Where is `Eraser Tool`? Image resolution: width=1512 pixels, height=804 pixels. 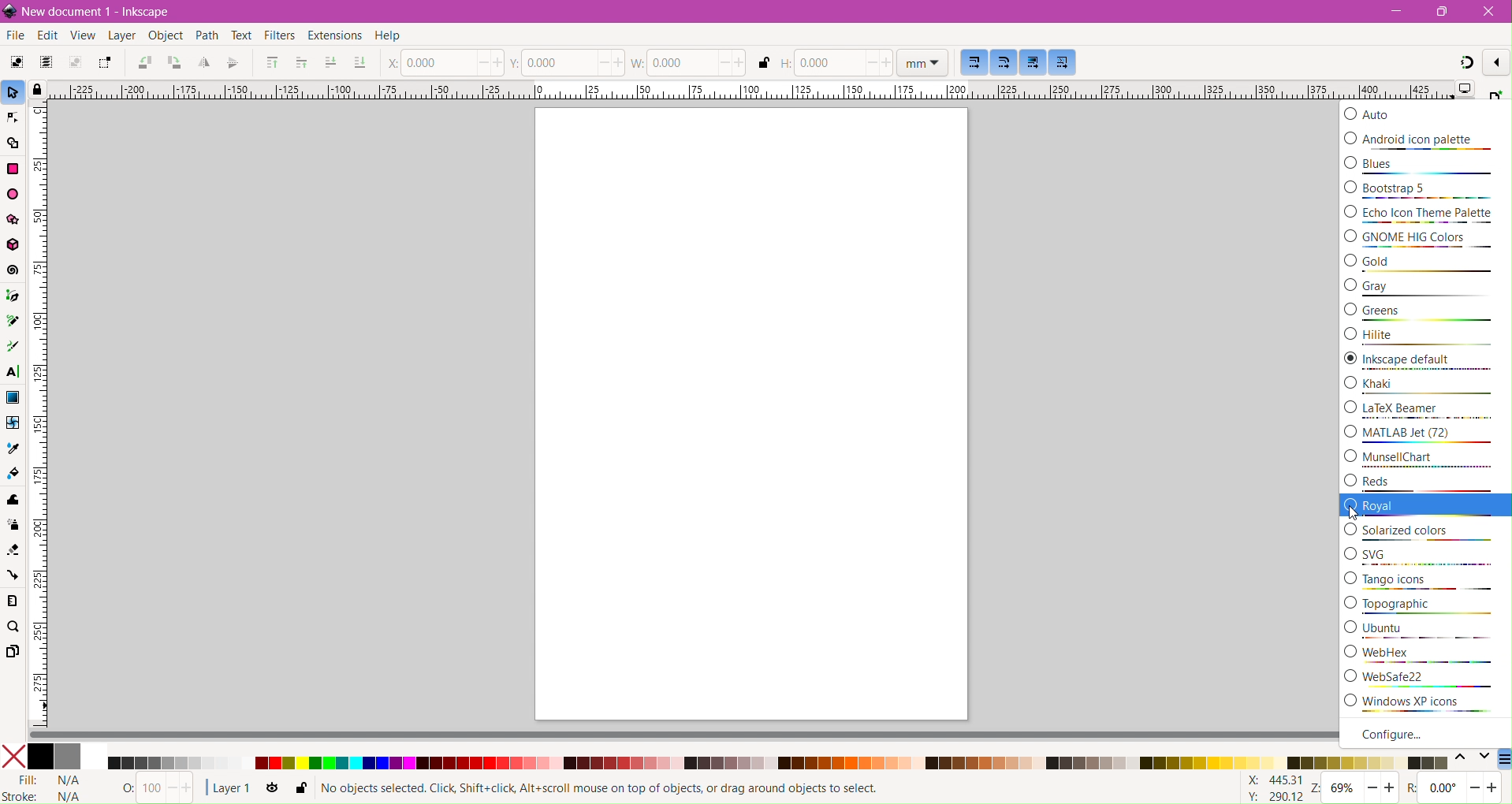 Eraser Tool is located at coordinates (13, 548).